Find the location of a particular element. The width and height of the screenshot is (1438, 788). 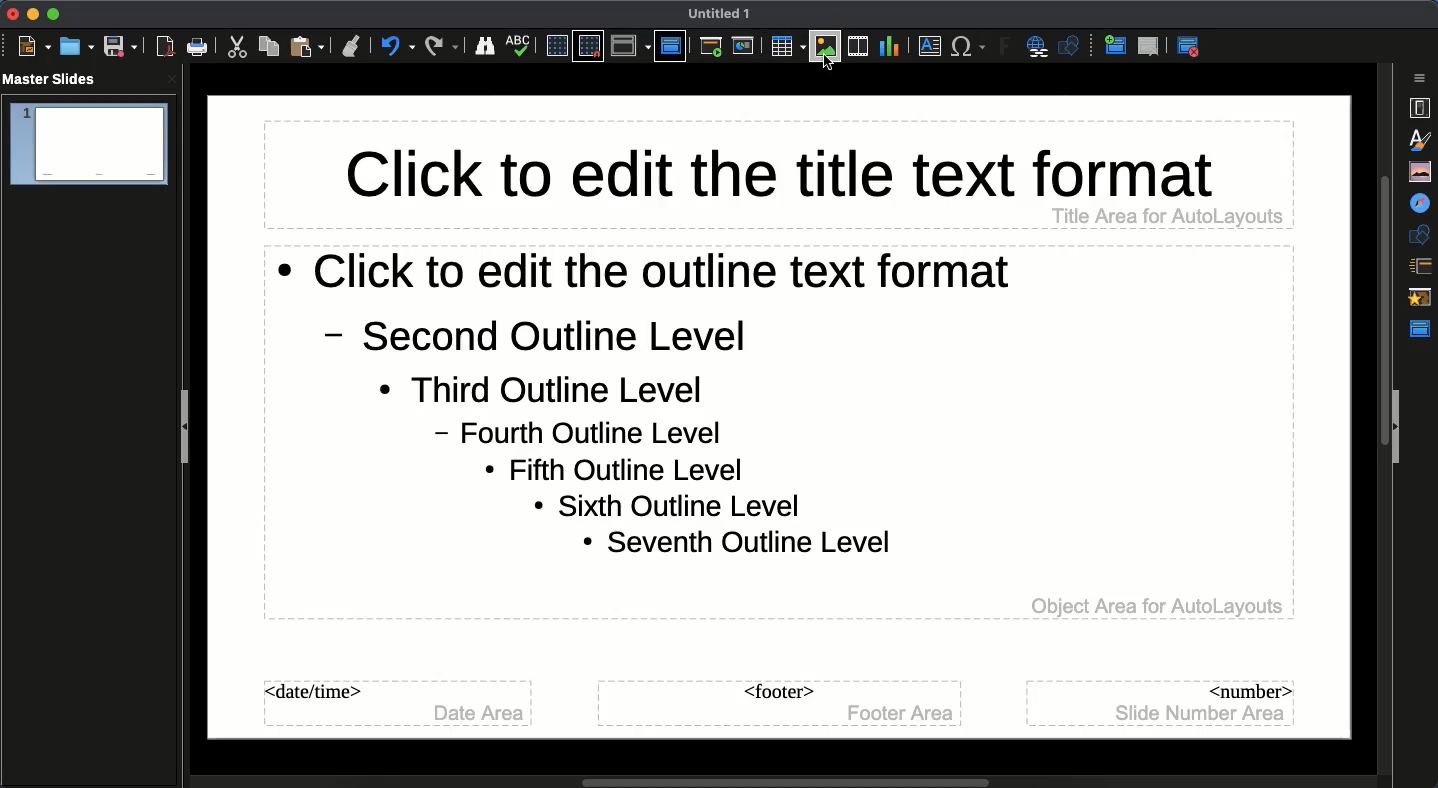

Images is located at coordinates (826, 46).